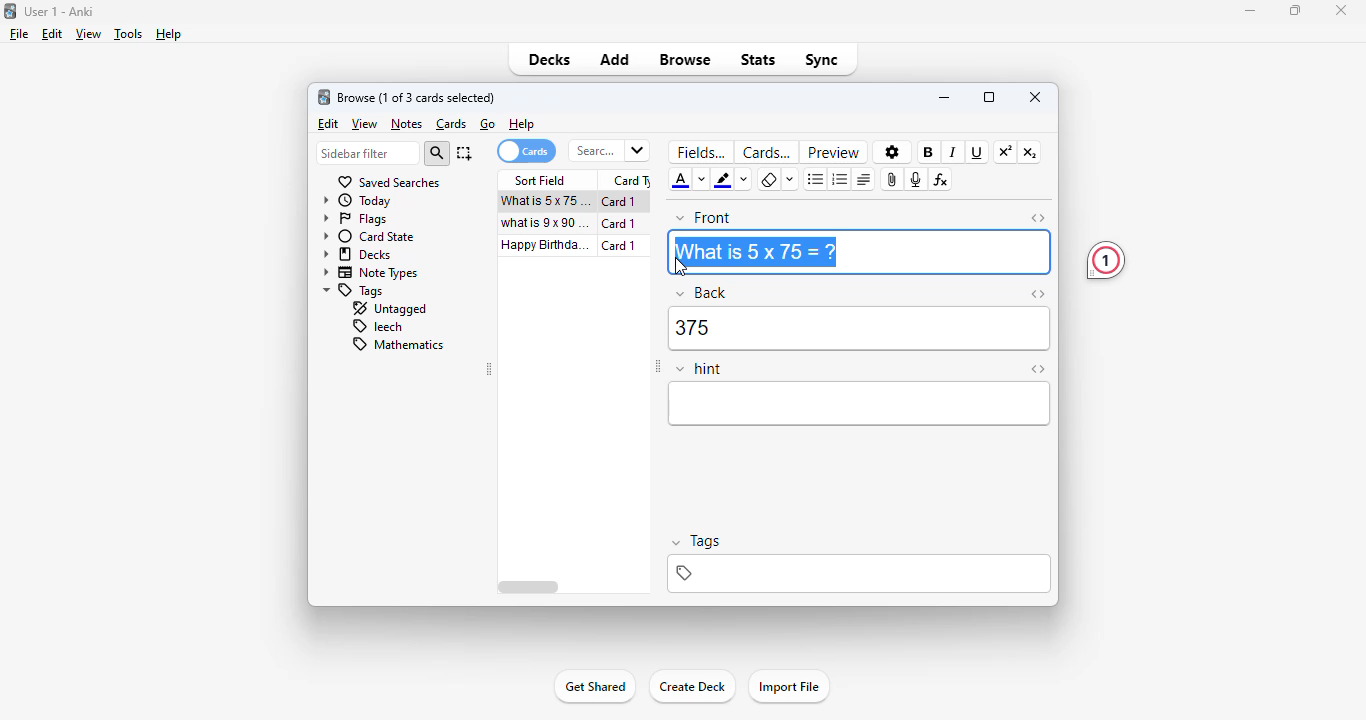 This screenshot has height=720, width=1366. What do you see at coordinates (699, 370) in the screenshot?
I see `hint` at bounding box center [699, 370].